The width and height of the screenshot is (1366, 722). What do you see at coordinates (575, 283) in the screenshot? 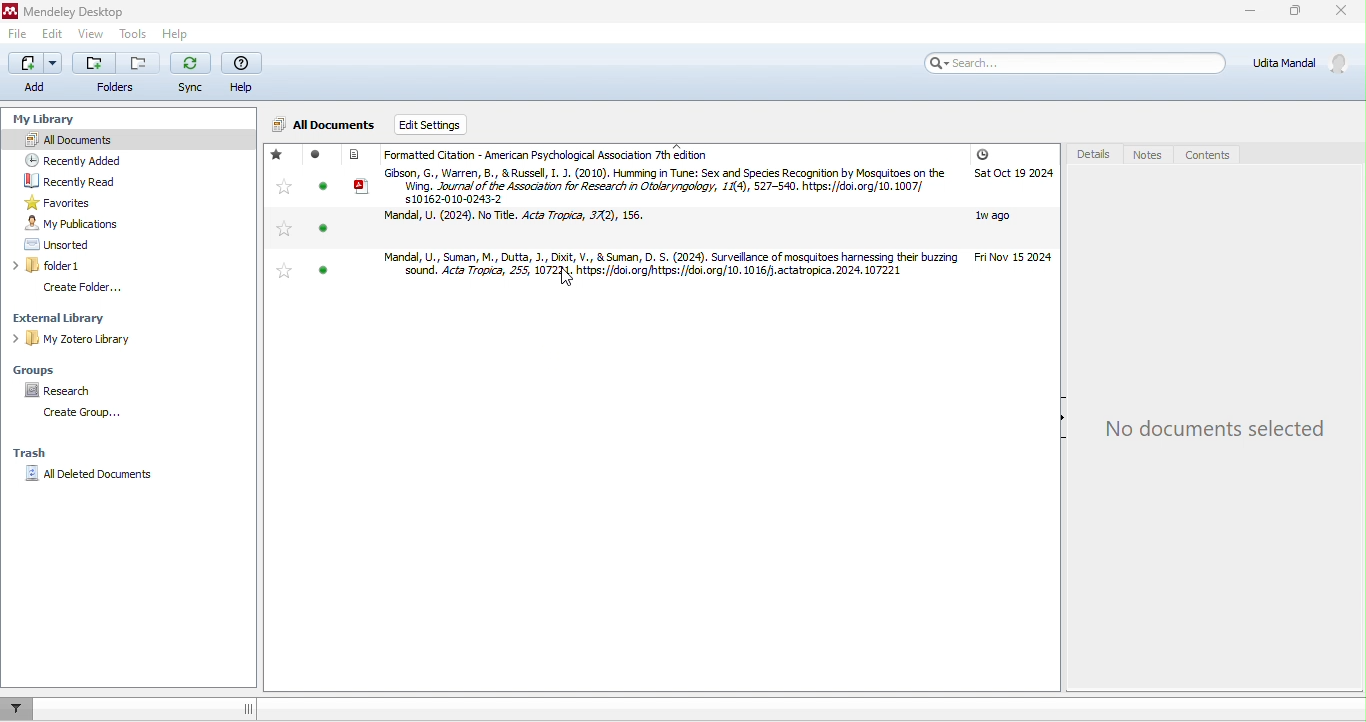
I see `cursor` at bounding box center [575, 283].